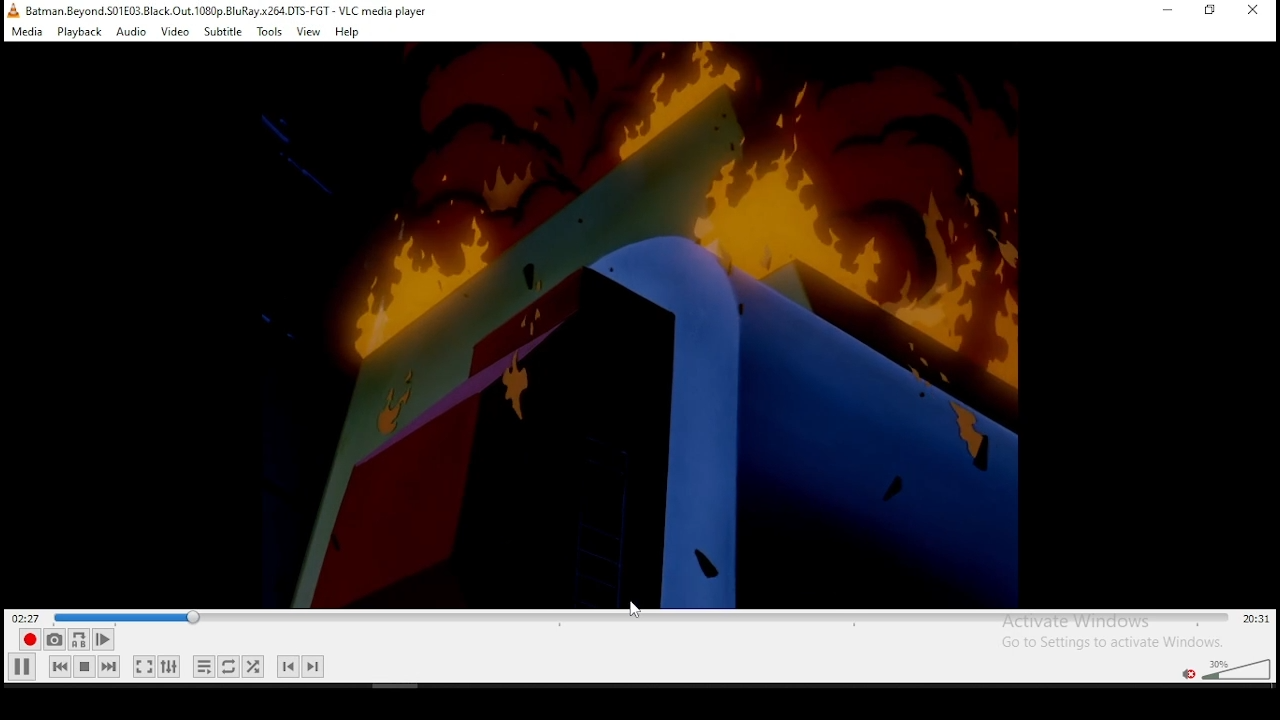 The image size is (1280, 720). What do you see at coordinates (100, 640) in the screenshot?
I see `frame by frame` at bounding box center [100, 640].